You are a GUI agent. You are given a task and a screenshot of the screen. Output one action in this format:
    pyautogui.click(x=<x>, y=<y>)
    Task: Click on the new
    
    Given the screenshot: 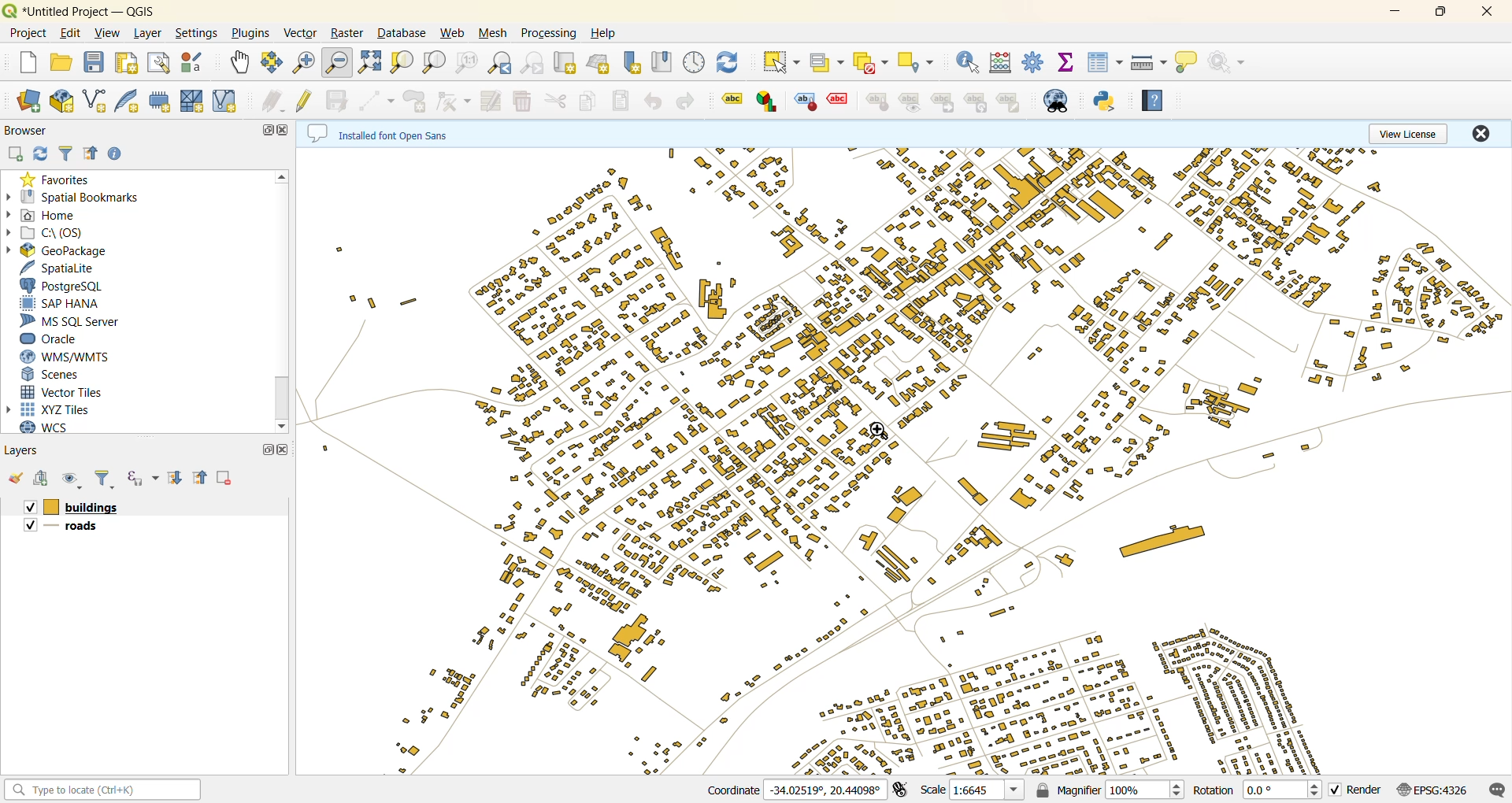 What is the action you would take?
    pyautogui.click(x=28, y=61)
    